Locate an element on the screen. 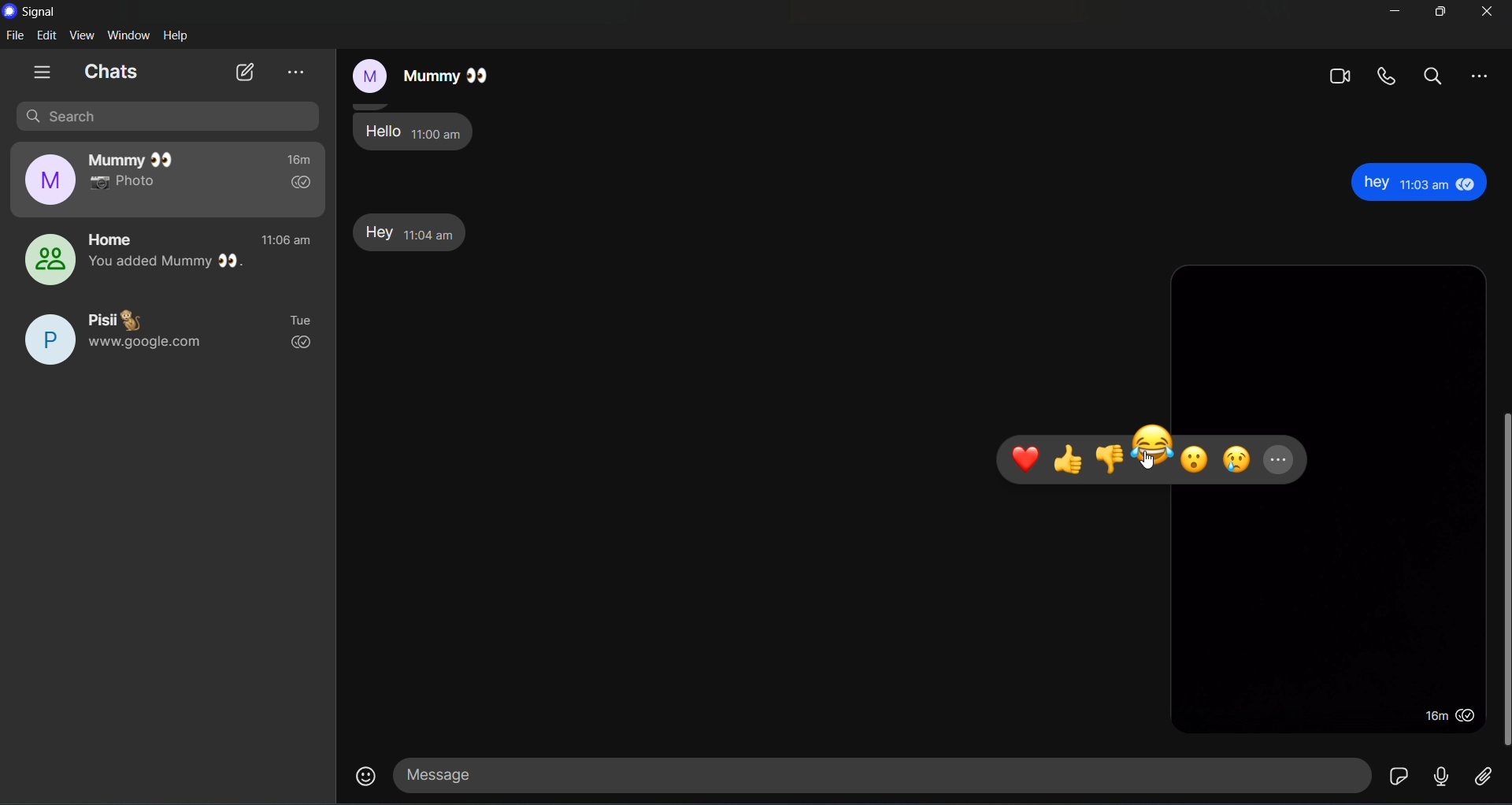 This screenshot has height=805, width=1512. video calls is located at coordinates (1340, 76).